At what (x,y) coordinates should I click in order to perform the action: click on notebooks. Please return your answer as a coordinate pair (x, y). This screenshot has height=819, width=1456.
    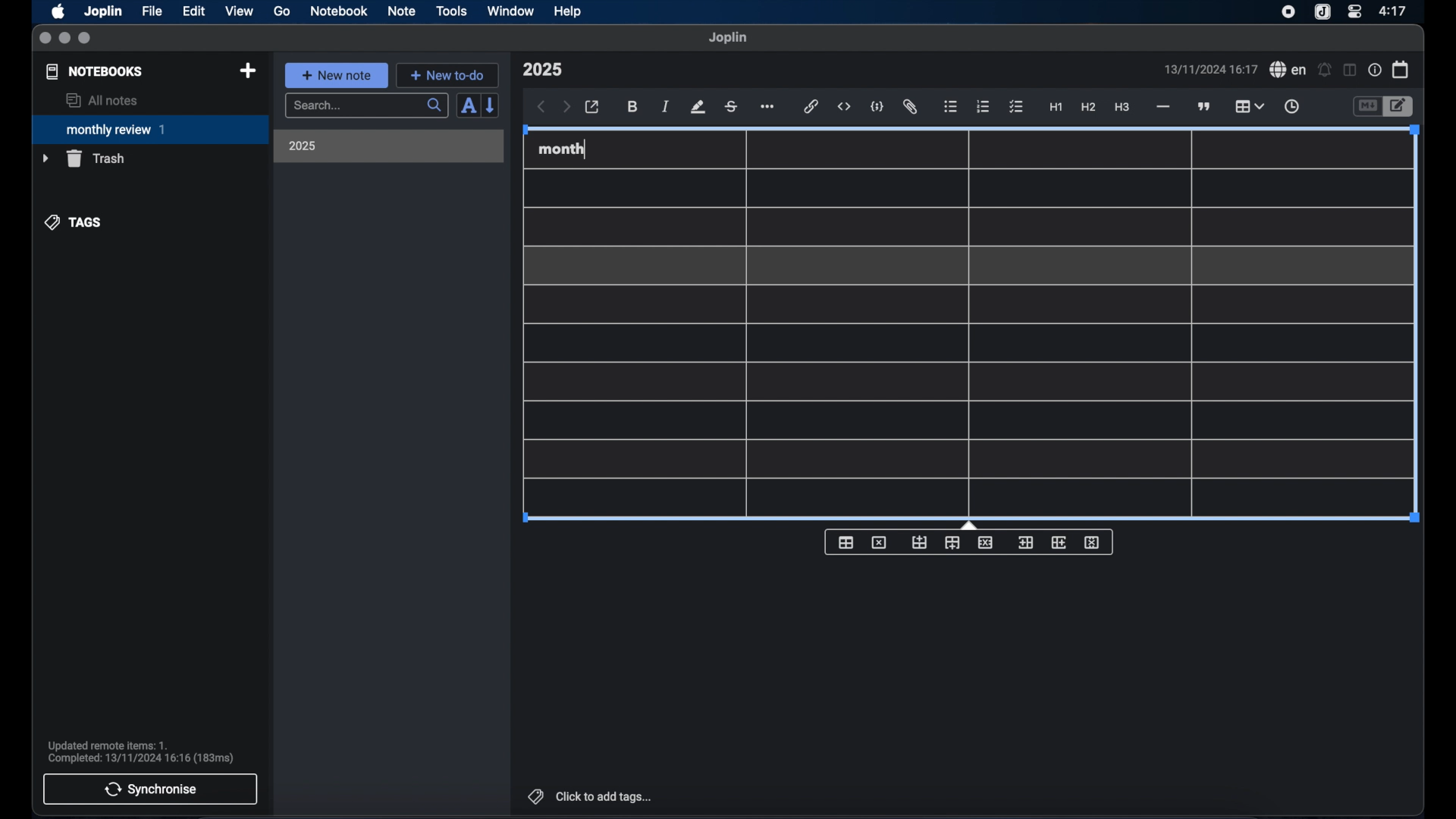
    Looking at the image, I should click on (95, 71).